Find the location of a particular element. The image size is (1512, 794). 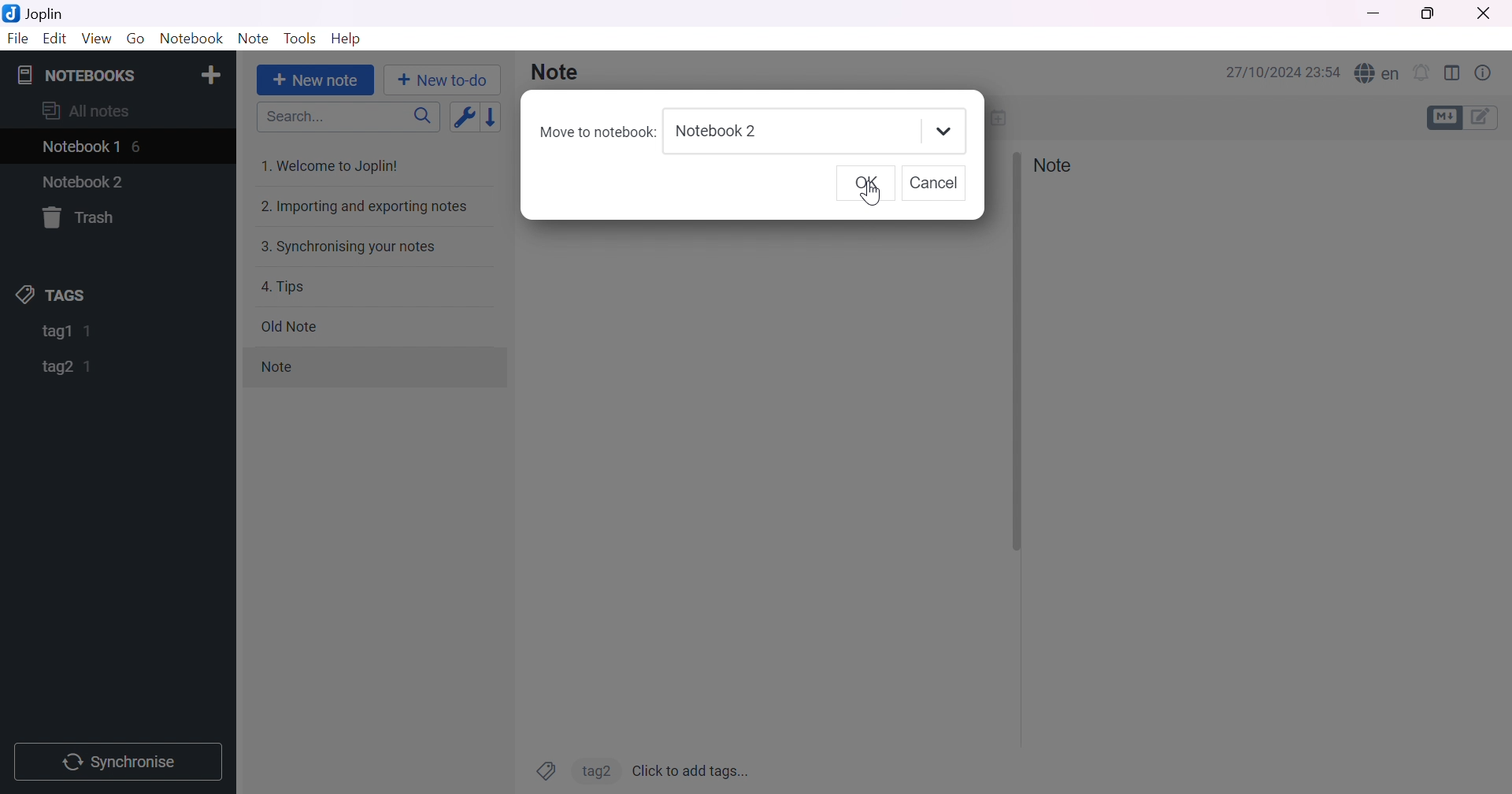

1 is located at coordinates (89, 366).